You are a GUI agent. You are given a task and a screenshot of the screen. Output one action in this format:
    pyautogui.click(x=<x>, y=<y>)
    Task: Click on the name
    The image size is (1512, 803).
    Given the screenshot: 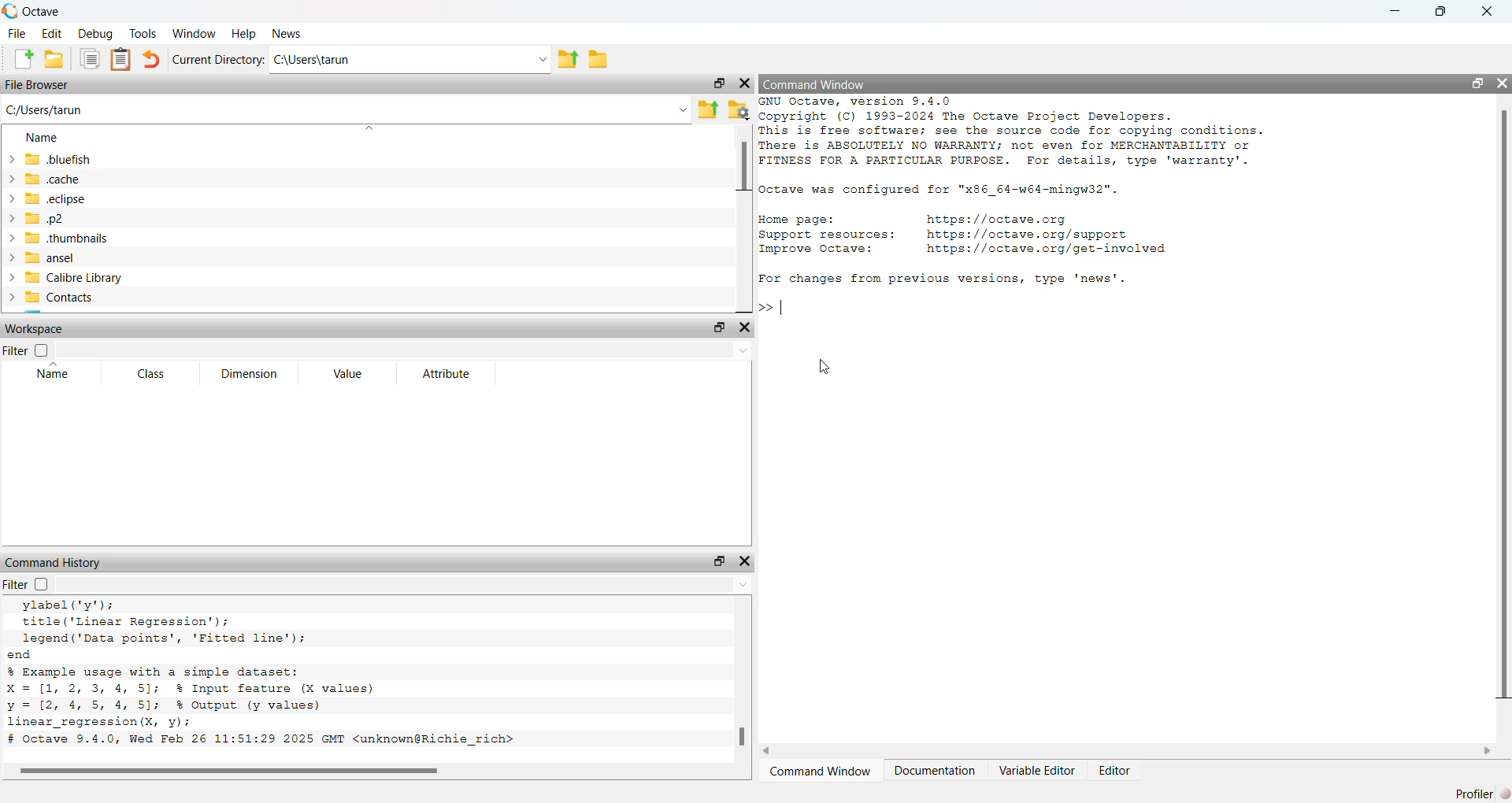 What is the action you would take?
    pyautogui.click(x=46, y=139)
    